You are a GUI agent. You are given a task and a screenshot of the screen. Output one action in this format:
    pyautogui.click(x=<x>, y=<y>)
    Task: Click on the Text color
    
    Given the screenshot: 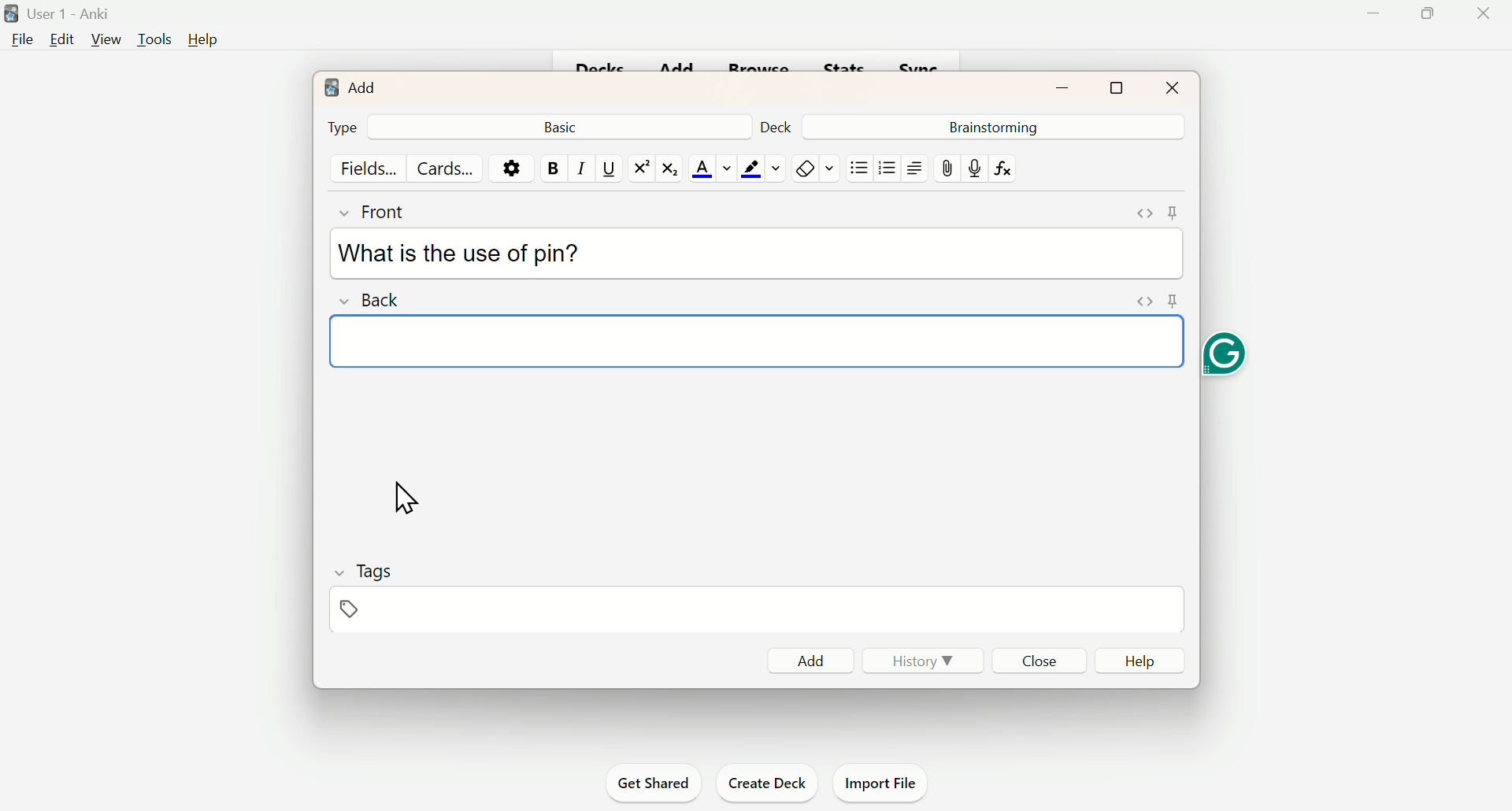 What is the action you would take?
    pyautogui.click(x=712, y=168)
    